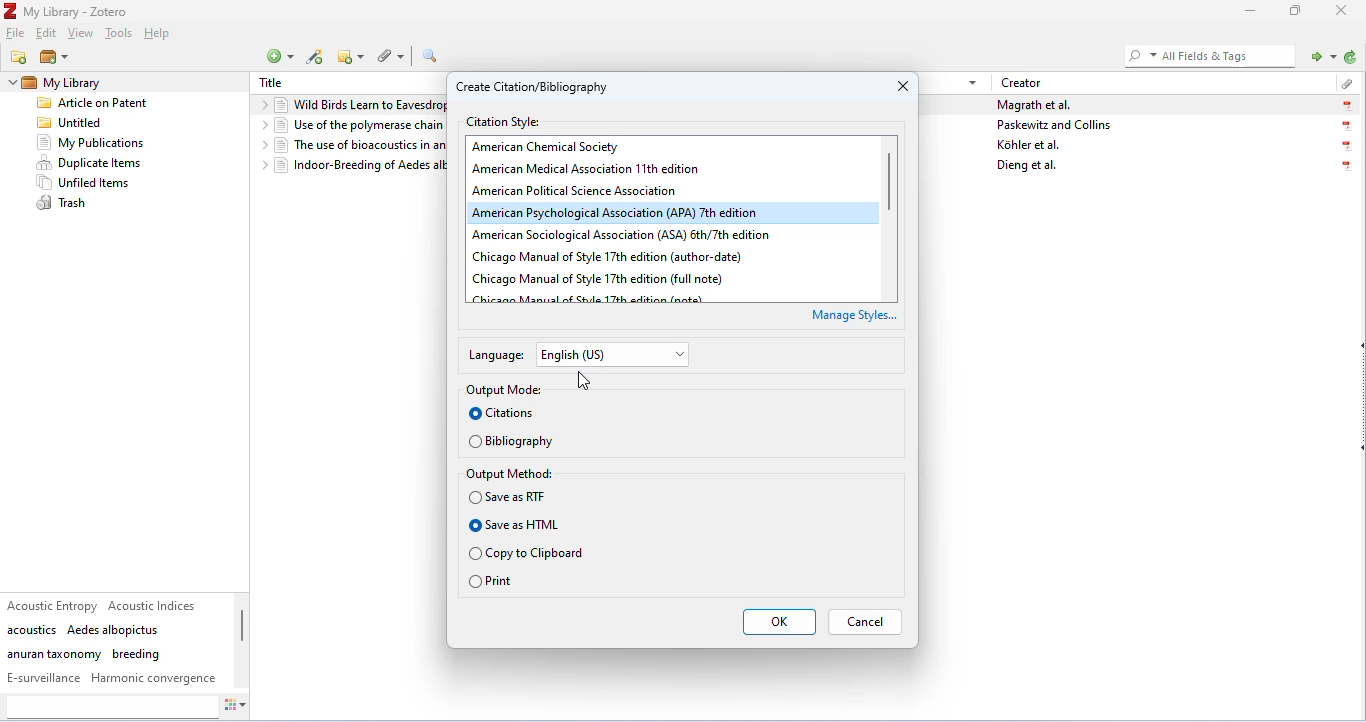 The image size is (1366, 722). I want to click on file, so click(16, 33).